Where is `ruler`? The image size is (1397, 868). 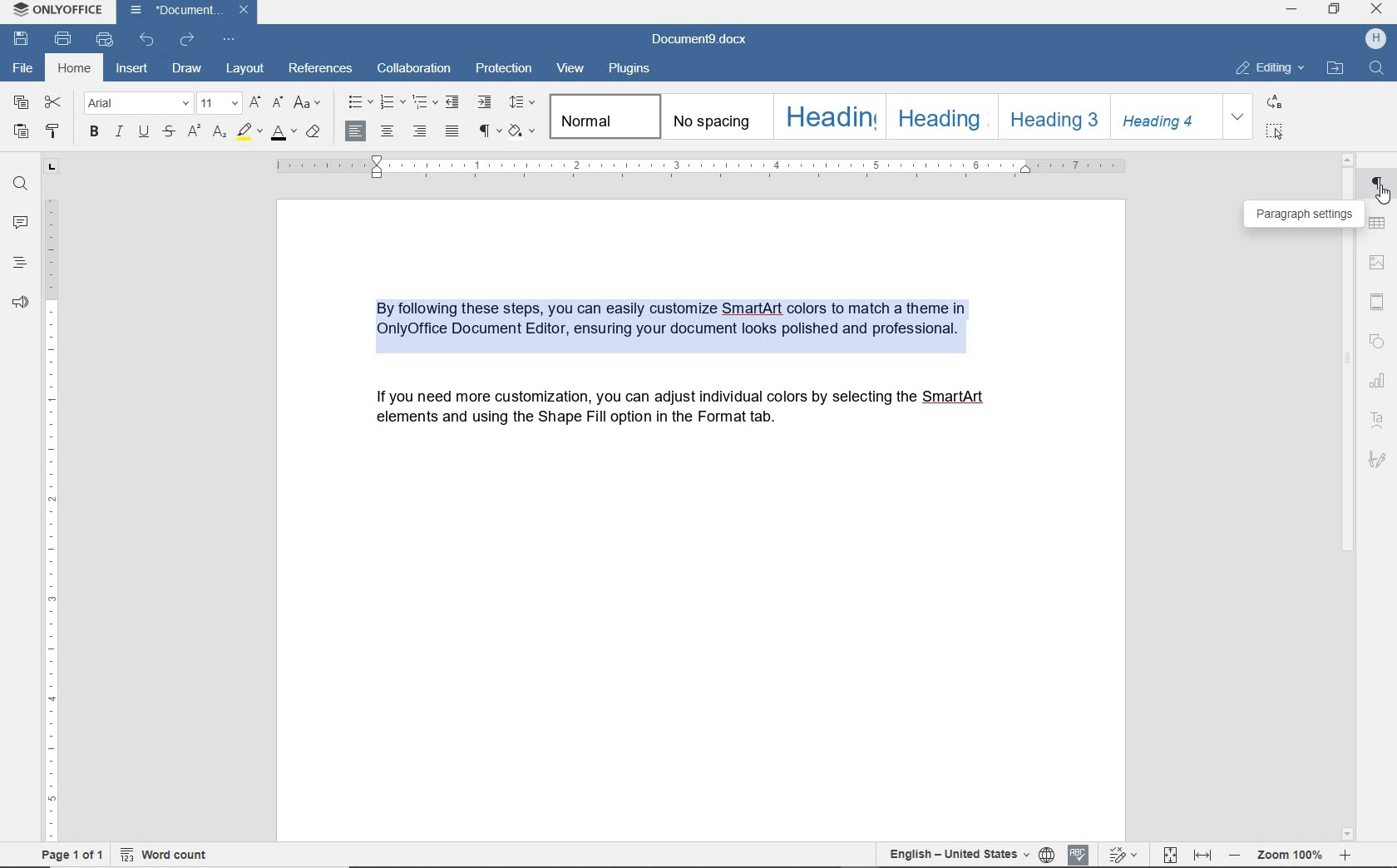 ruler is located at coordinates (51, 515).